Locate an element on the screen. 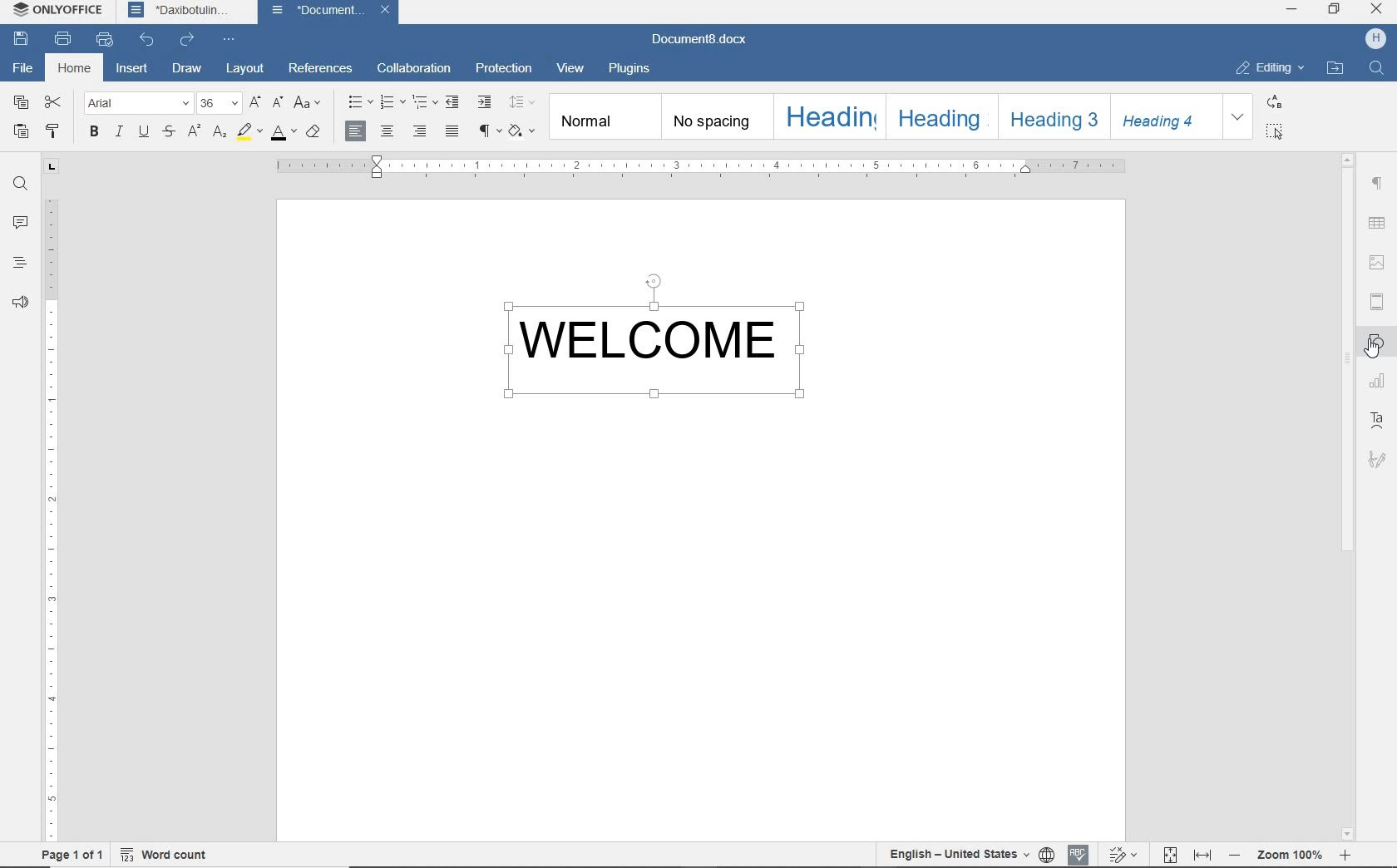 This screenshot has width=1397, height=868. Heading 2 is located at coordinates (942, 116).